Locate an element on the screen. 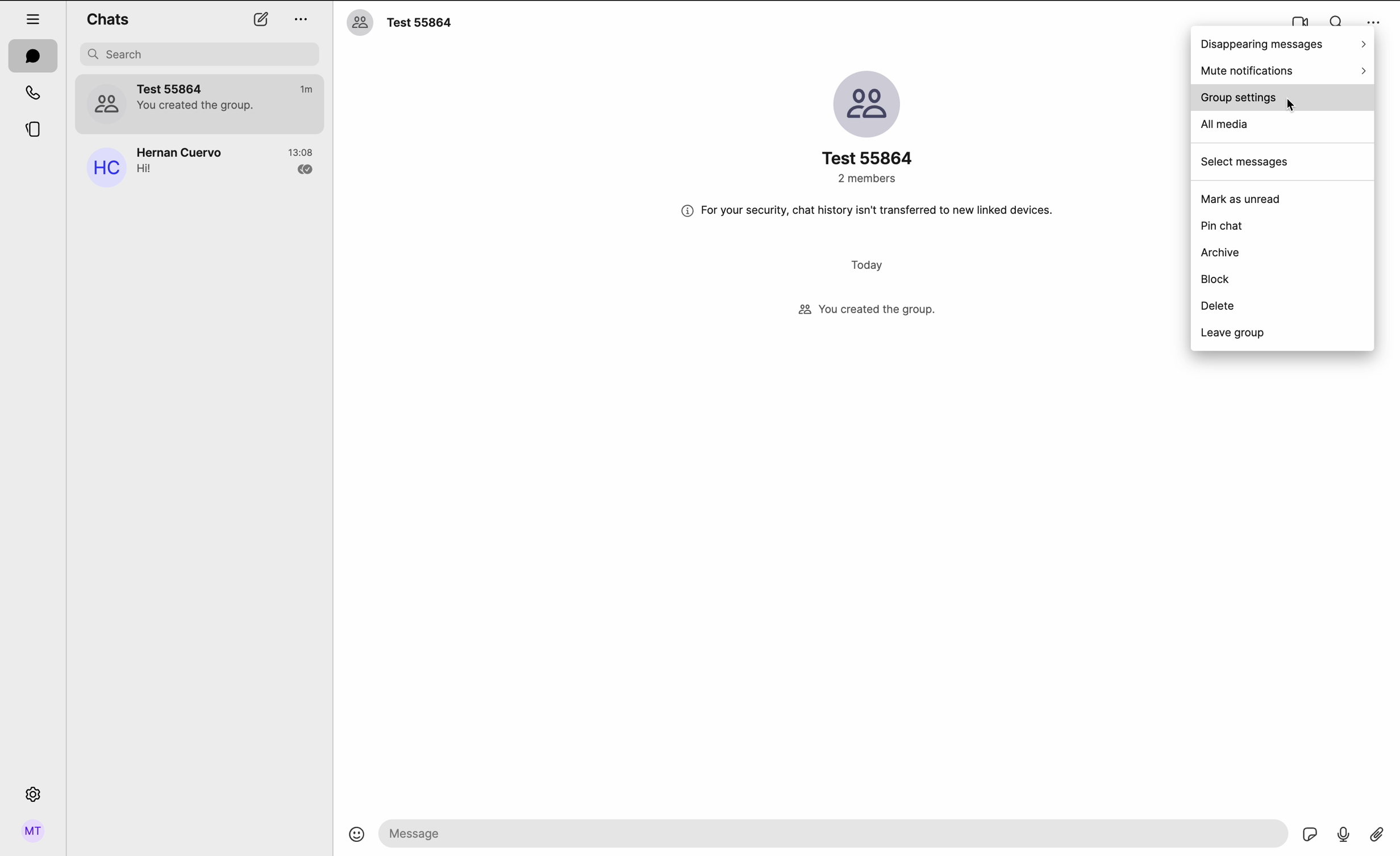 This screenshot has width=1400, height=856. voice record is located at coordinates (1343, 835).